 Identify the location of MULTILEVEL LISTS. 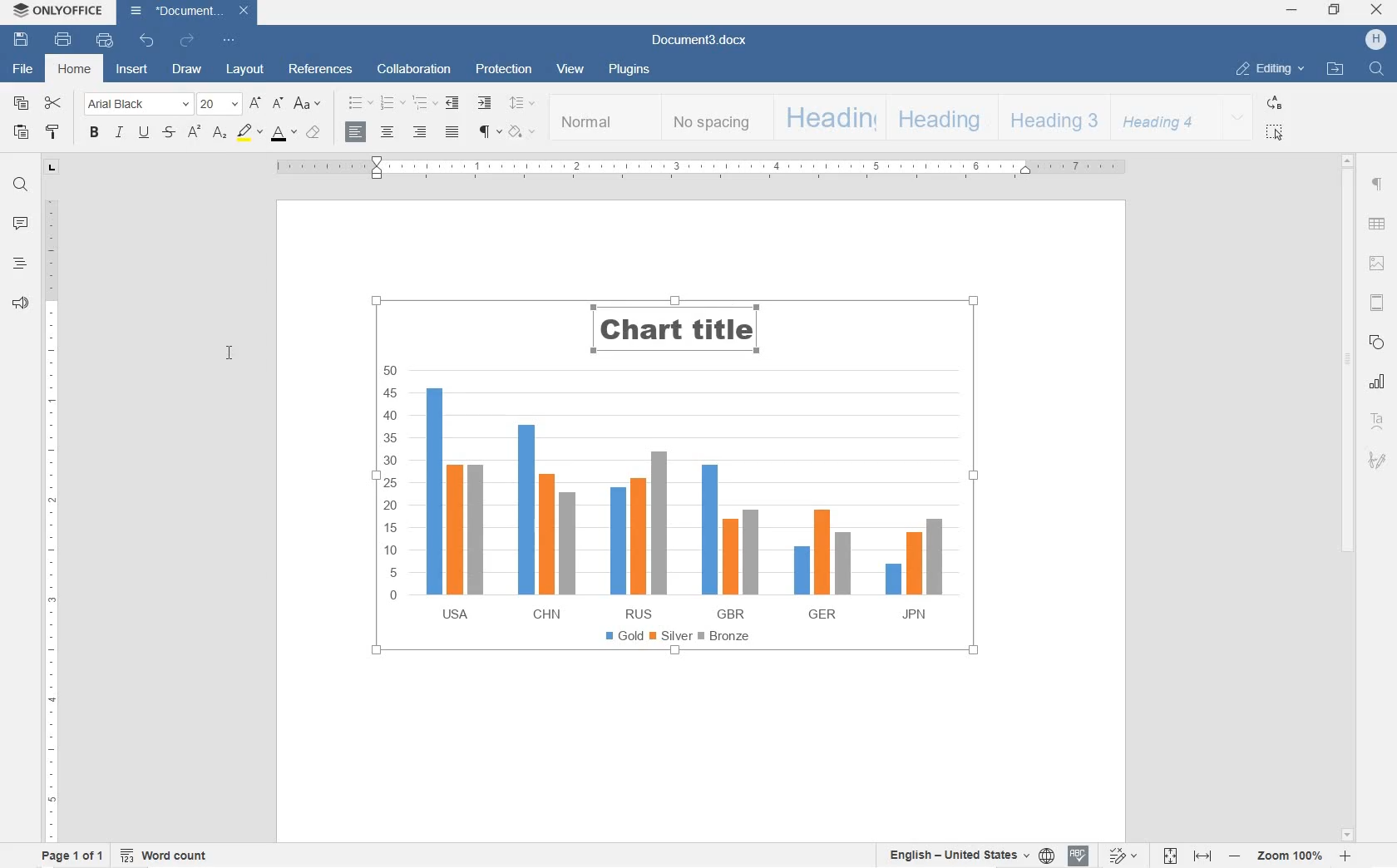
(425, 104).